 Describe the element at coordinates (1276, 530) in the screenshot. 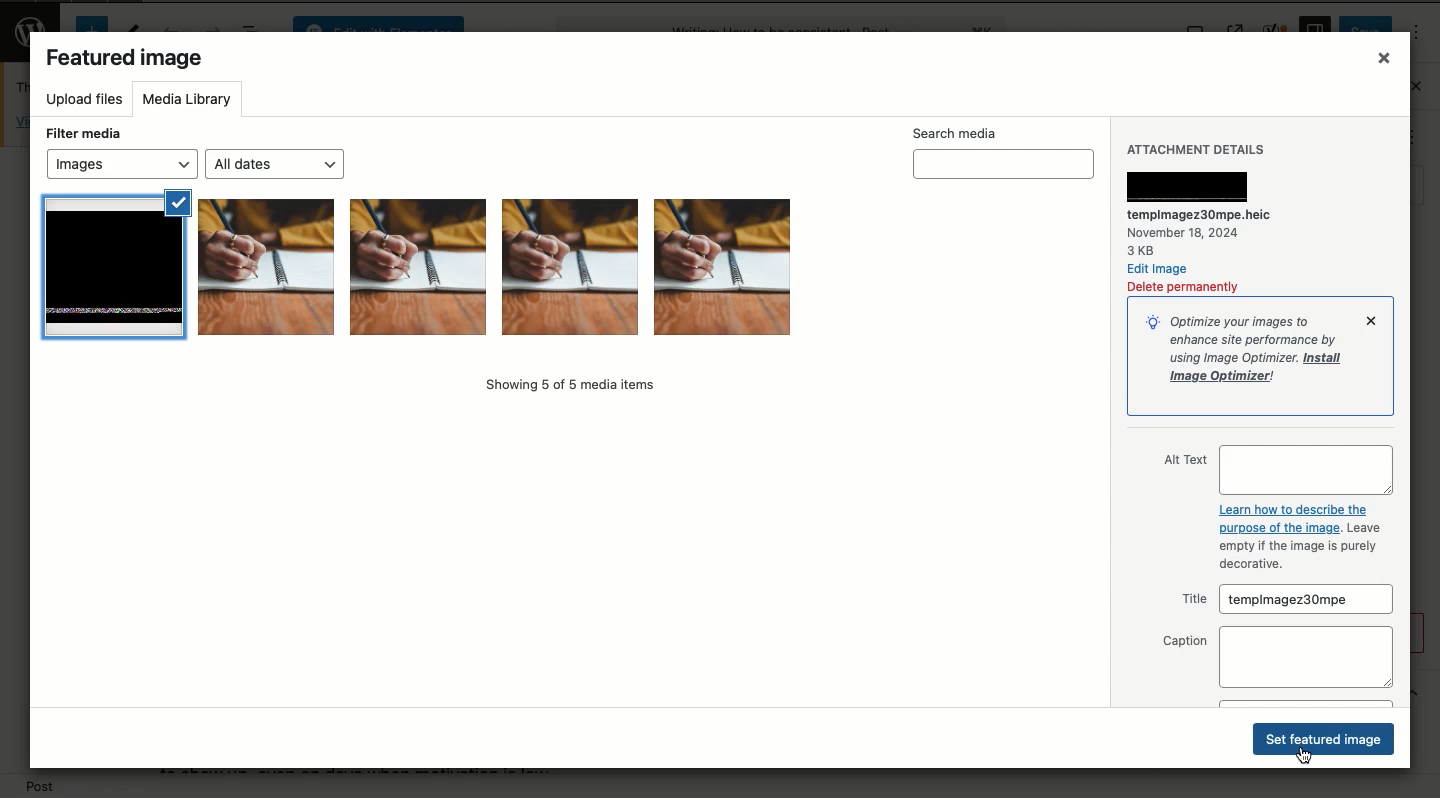

I see `purpose of the image.` at that location.